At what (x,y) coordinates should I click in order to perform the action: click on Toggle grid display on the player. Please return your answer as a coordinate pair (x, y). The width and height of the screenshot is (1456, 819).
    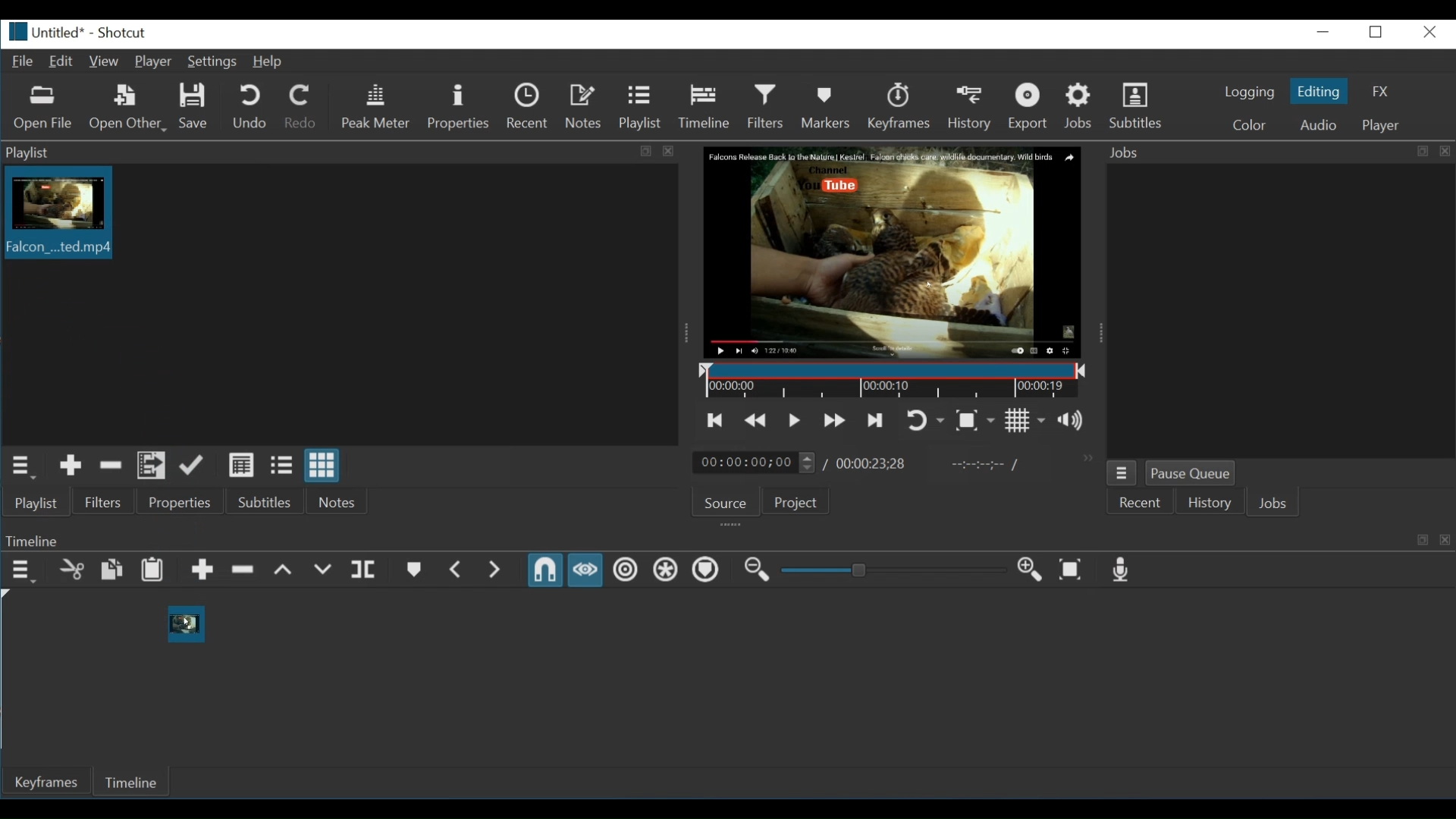
    Looking at the image, I should click on (1025, 421).